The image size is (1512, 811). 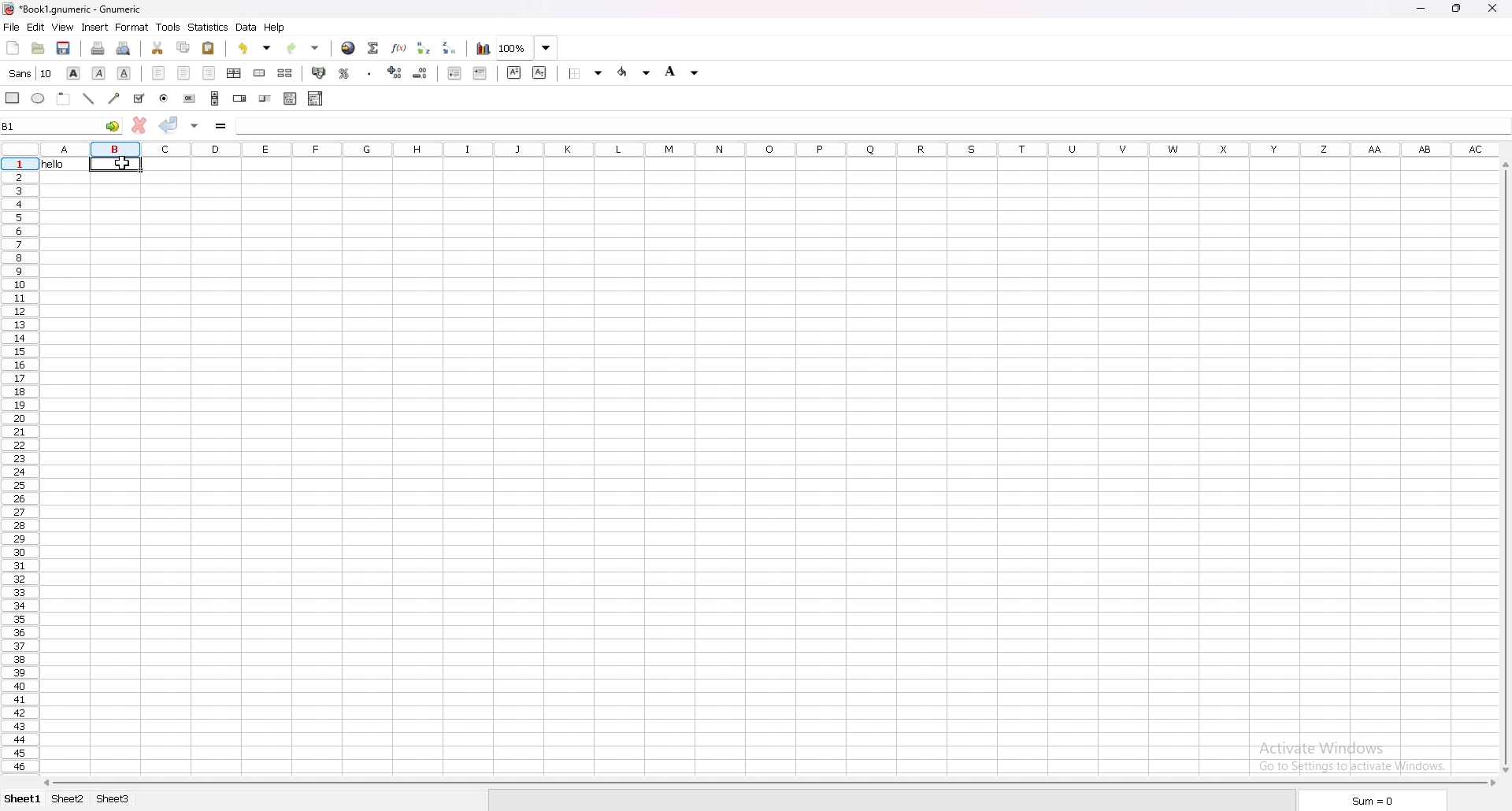 I want to click on background, so click(x=587, y=72).